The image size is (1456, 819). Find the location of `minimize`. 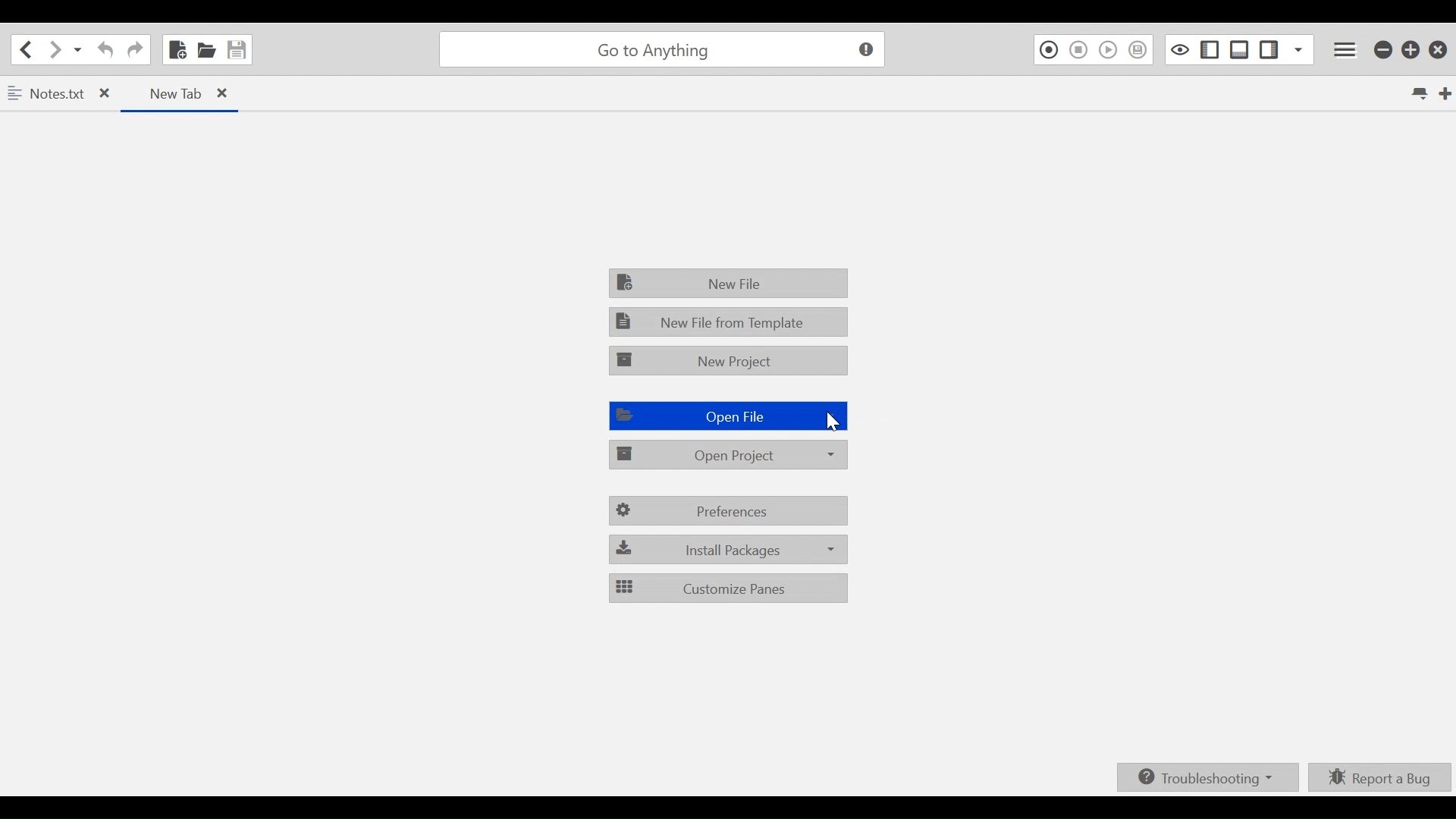

minimize is located at coordinates (1384, 51).